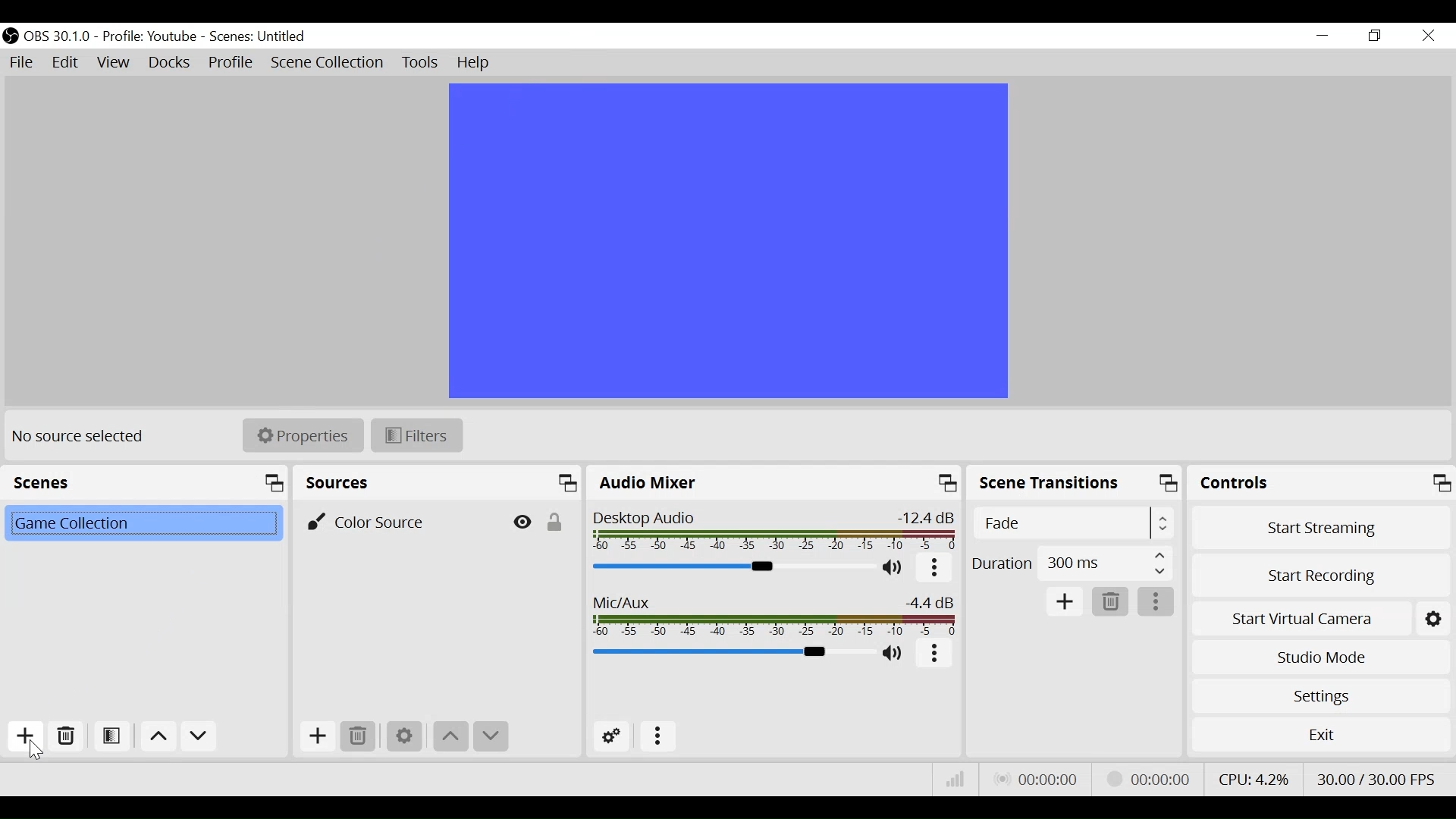 Image resolution: width=1456 pixels, height=819 pixels. What do you see at coordinates (404, 736) in the screenshot?
I see `Settings` at bounding box center [404, 736].